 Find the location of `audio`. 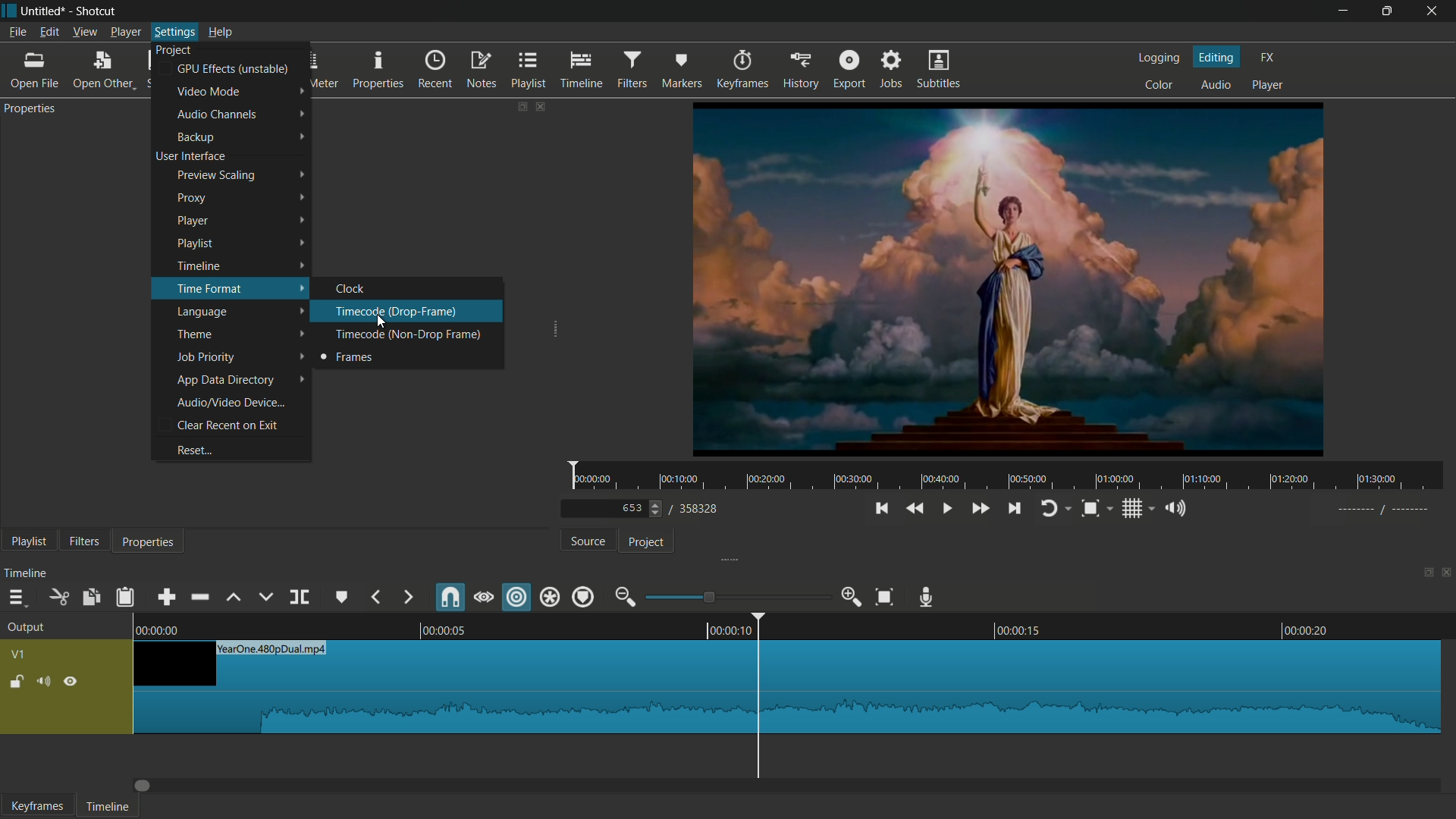

audio is located at coordinates (1214, 84).